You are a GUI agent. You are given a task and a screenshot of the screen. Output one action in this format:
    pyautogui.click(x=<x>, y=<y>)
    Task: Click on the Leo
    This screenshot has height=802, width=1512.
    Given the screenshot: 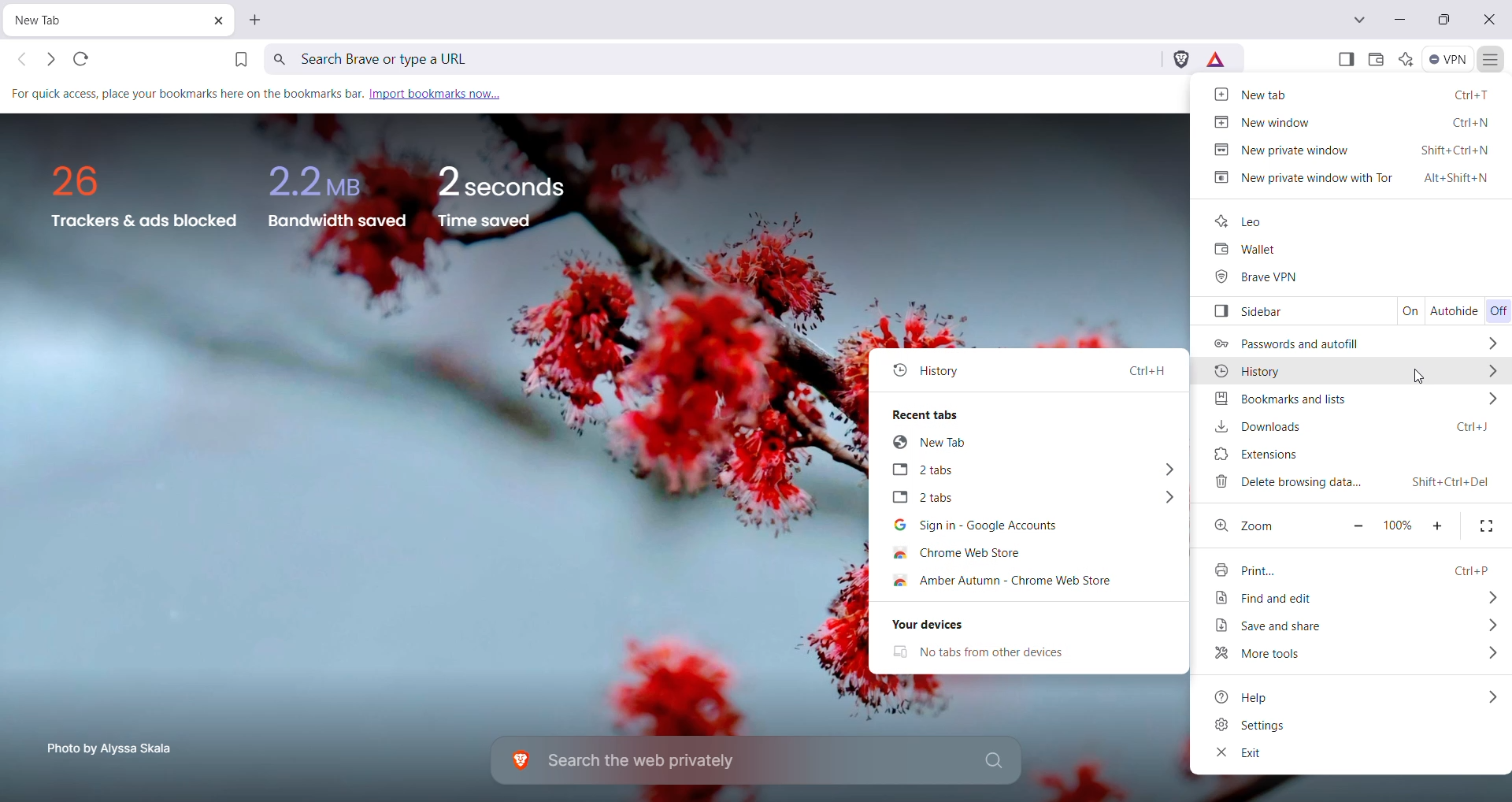 What is the action you would take?
    pyautogui.click(x=1243, y=221)
    